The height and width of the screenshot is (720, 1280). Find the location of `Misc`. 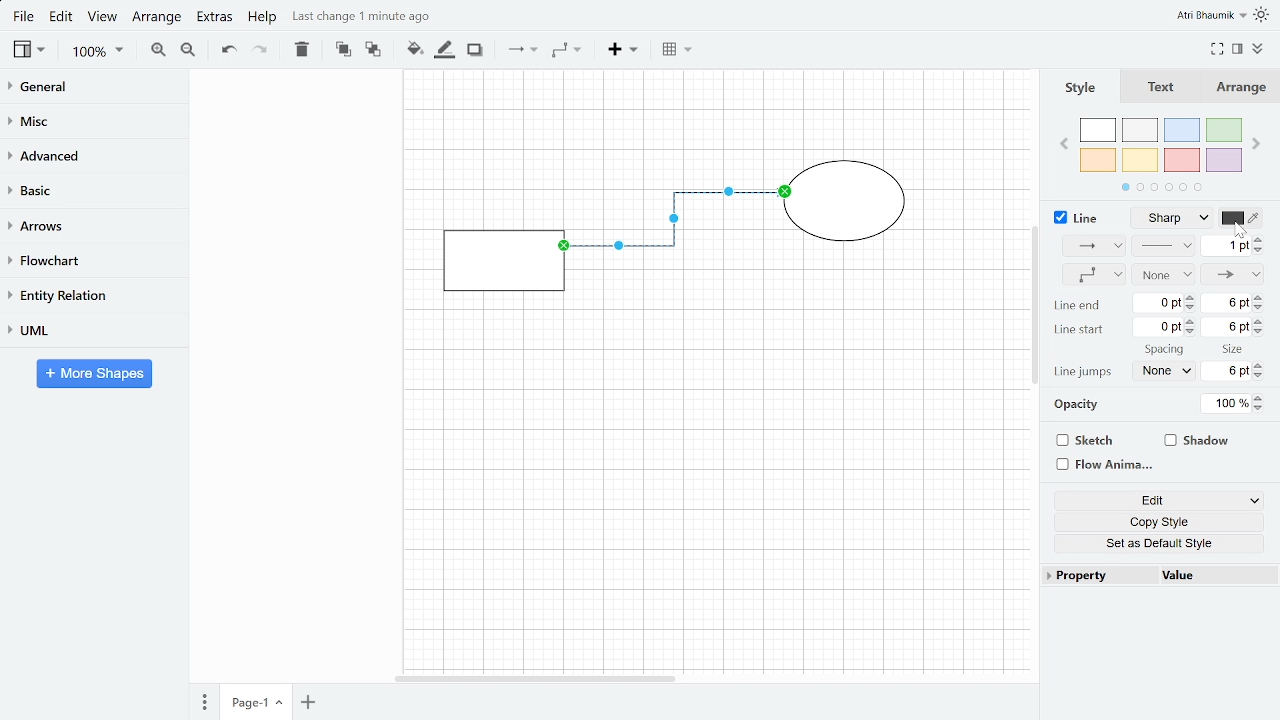

Misc is located at coordinates (93, 122).